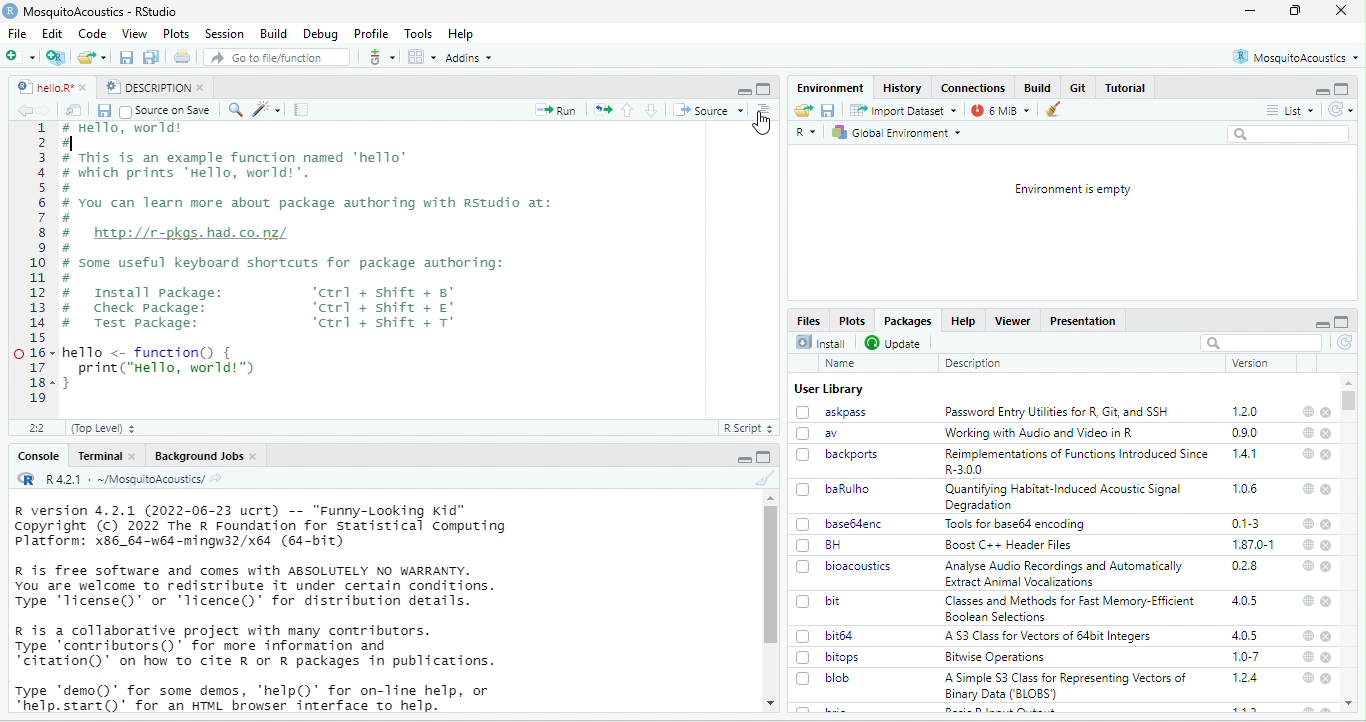 This screenshot has height=722, width=1366. Describe the element at coordinates (765, 457) in the screenshot. I see `full screen` at that location.